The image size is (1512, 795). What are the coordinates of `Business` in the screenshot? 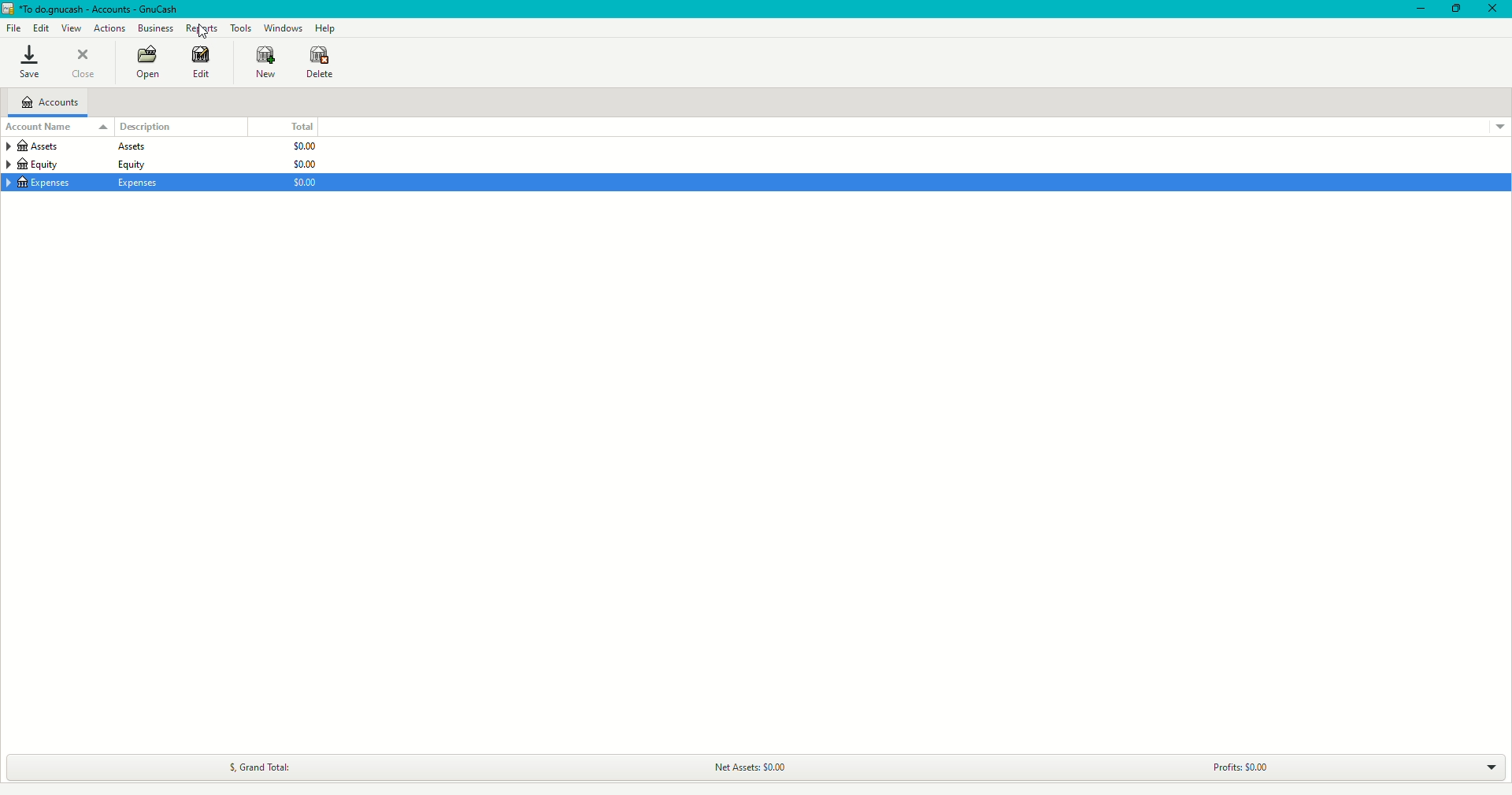 It's located at (157, 29).